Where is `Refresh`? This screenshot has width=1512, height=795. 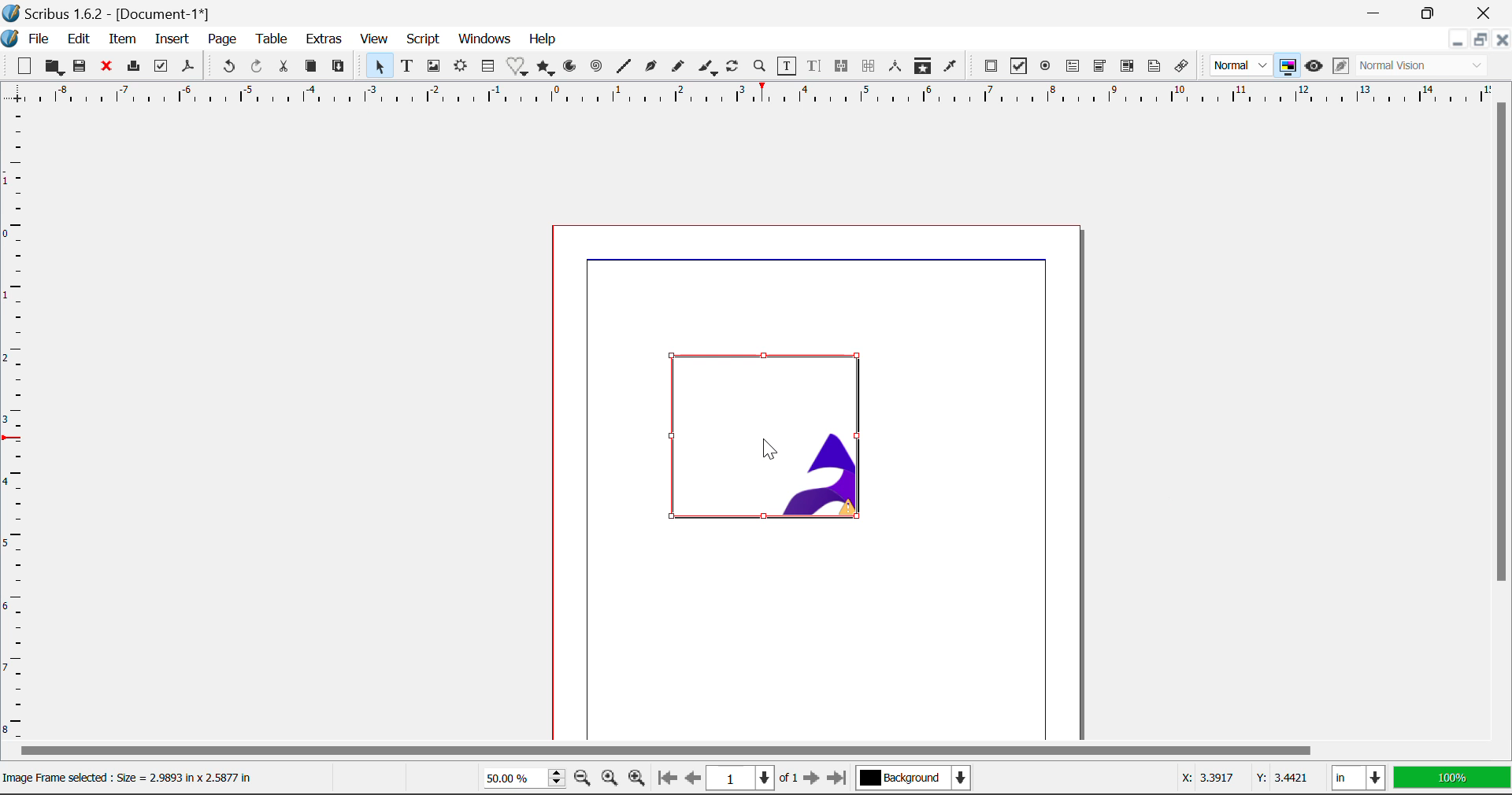
Refresh is located at coordinates (736, 68).